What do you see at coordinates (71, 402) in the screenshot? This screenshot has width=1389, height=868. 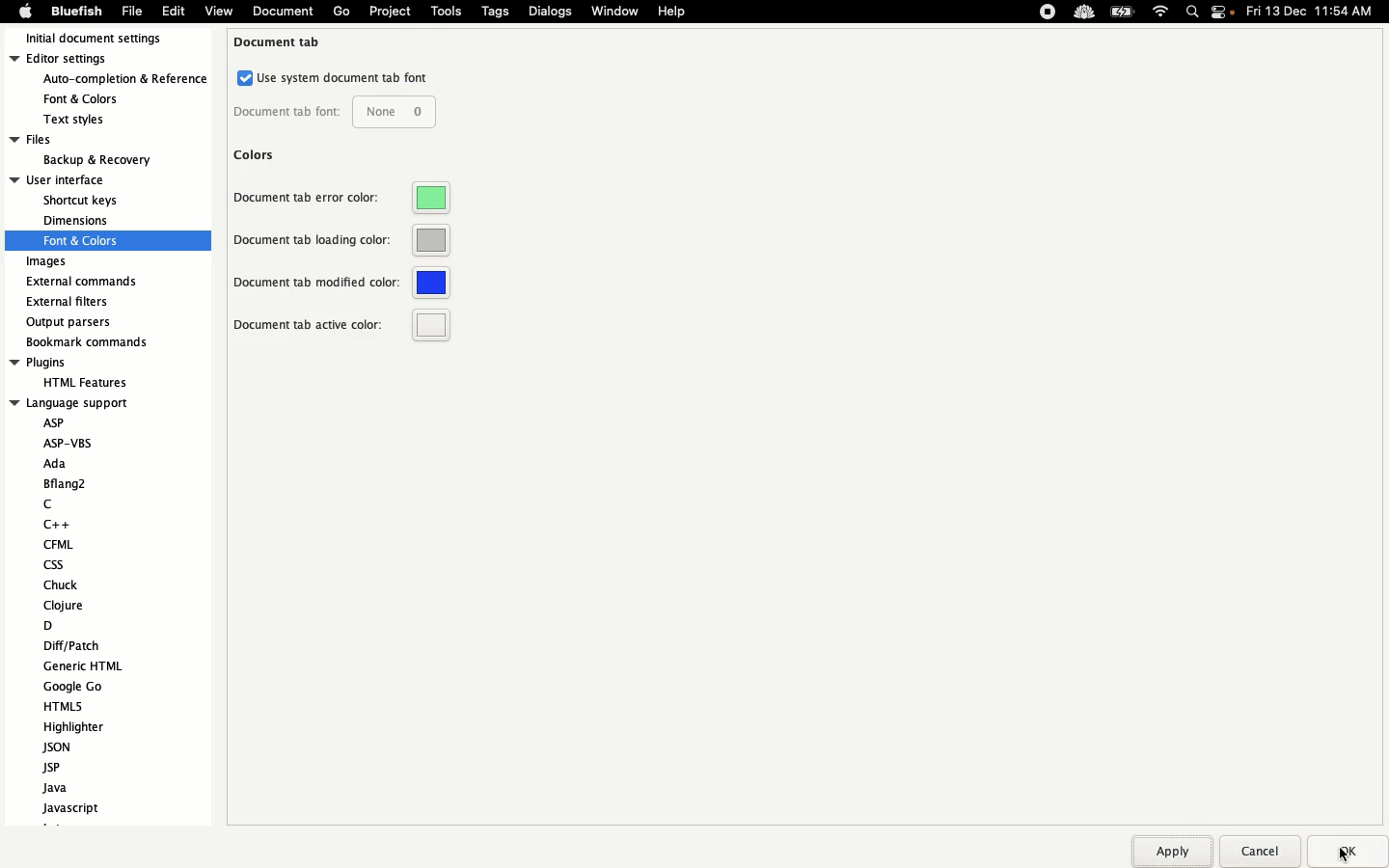 I see `language support` at bounding box center [71, 402].